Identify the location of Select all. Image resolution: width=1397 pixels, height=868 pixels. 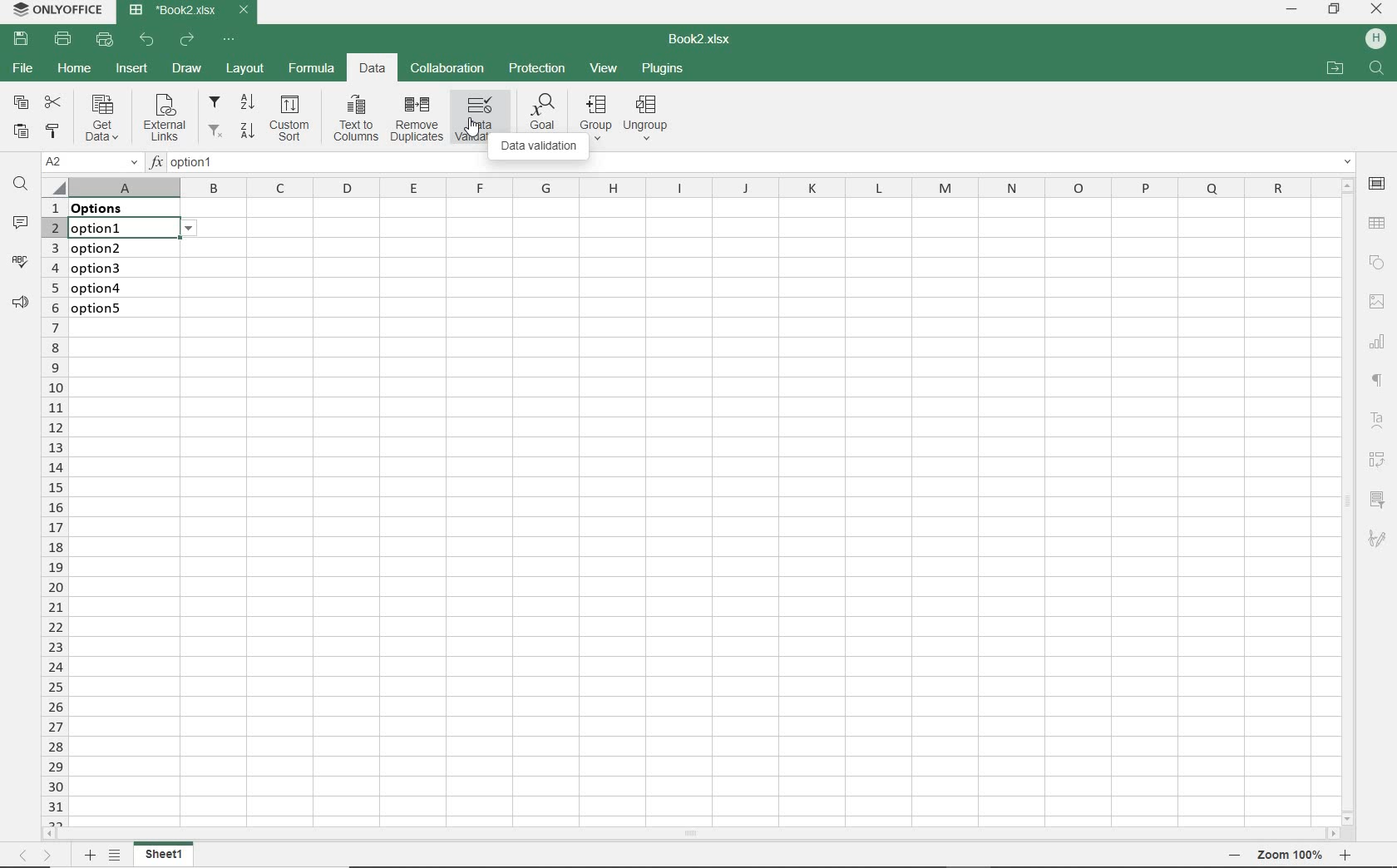
(54, 185).